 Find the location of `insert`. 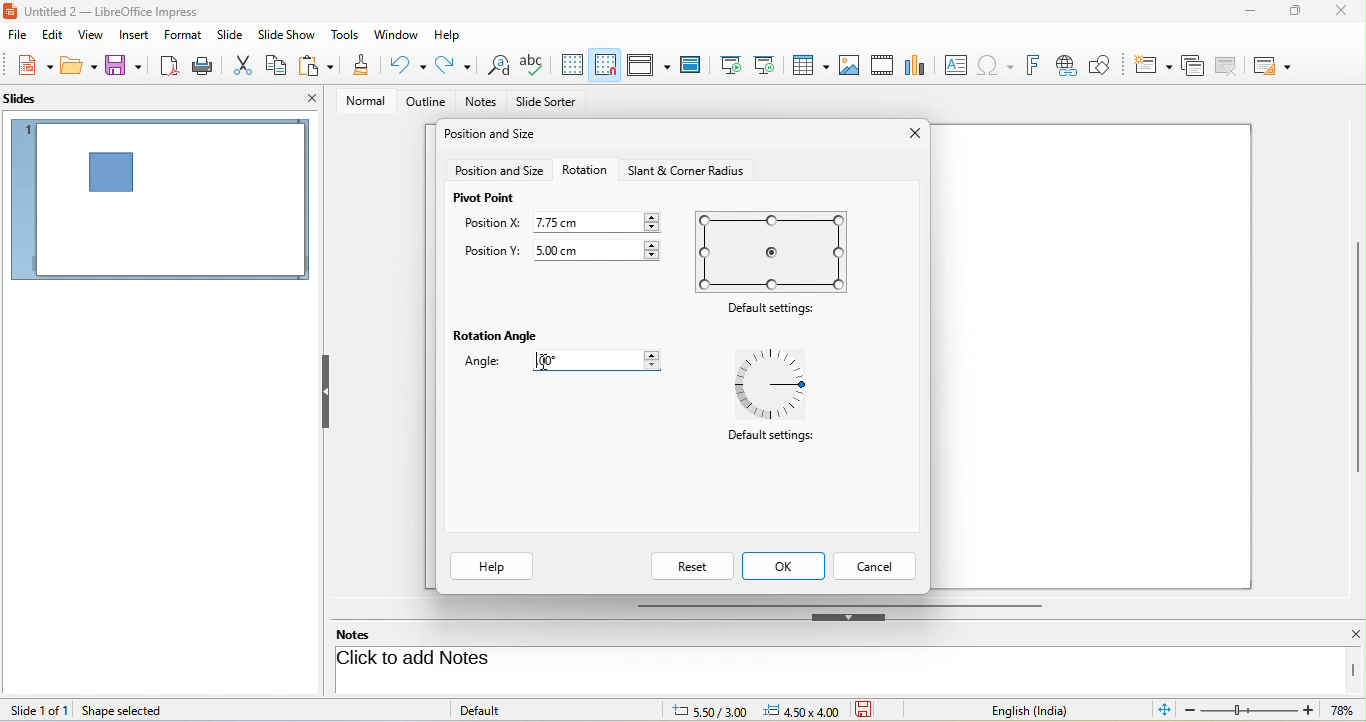

insert is located at coordinates (132, 35).